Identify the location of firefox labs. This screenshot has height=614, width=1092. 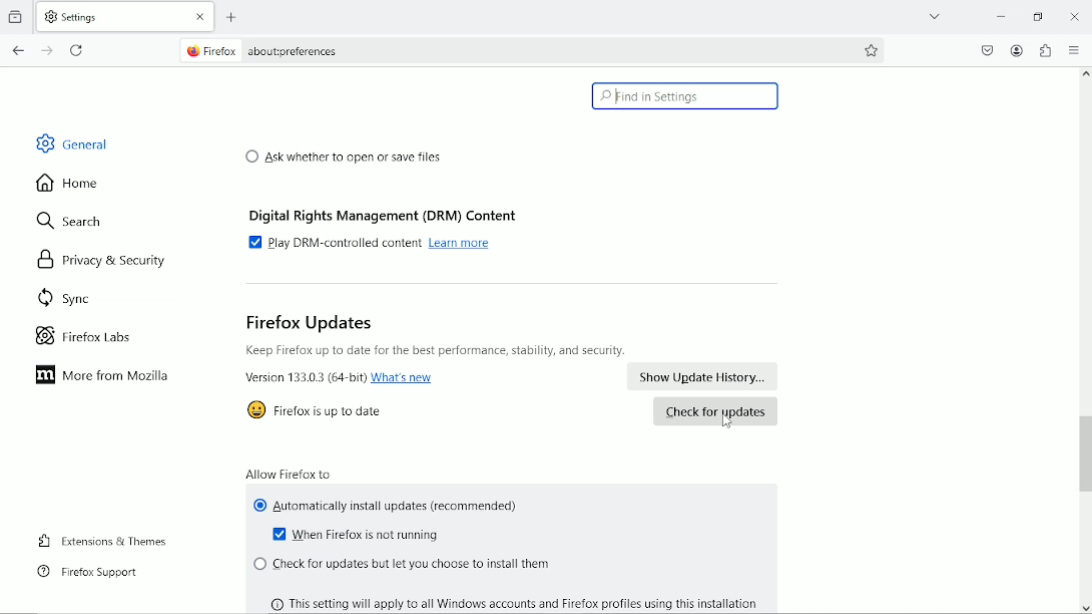
(84, 336).